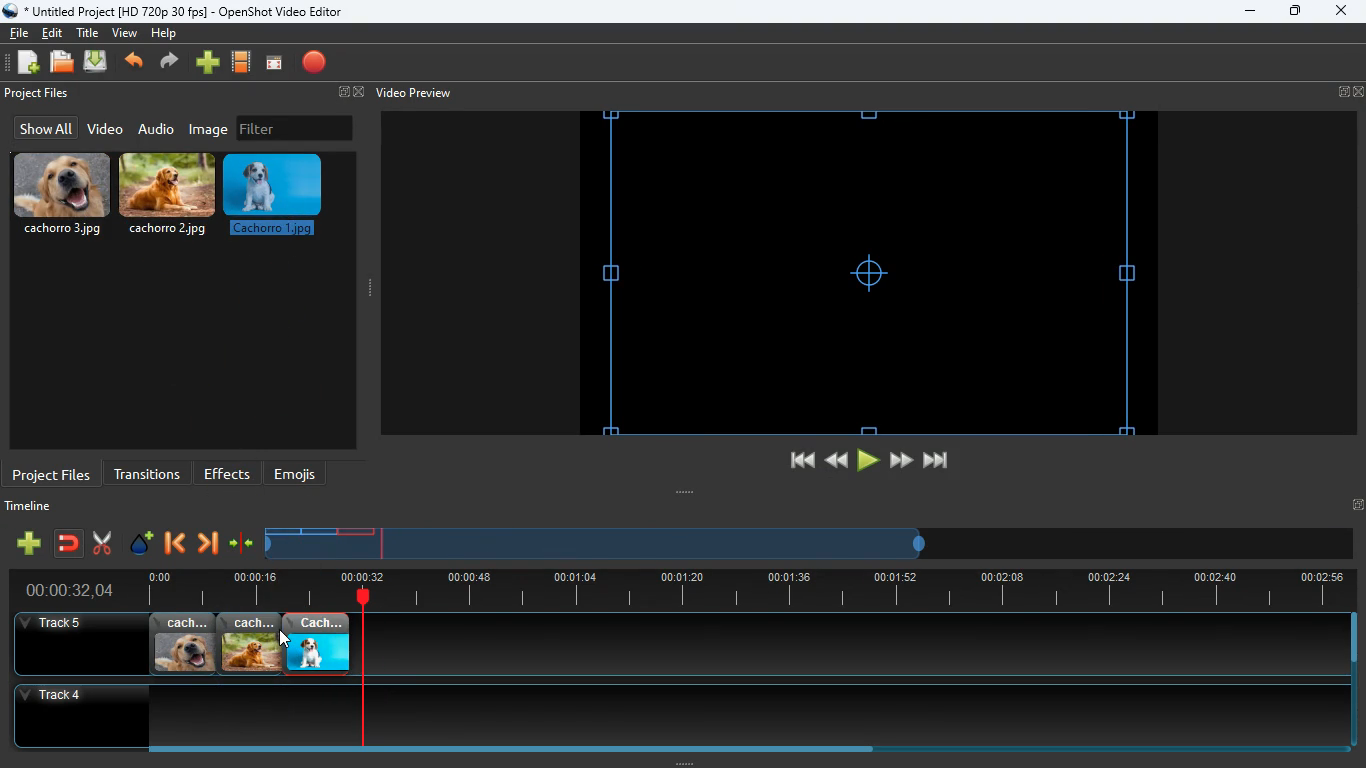  What do you see at coordinates (169, 199) in the screenshot?
I see `cachorro.2.jpg` at bounding box center [169, 199].